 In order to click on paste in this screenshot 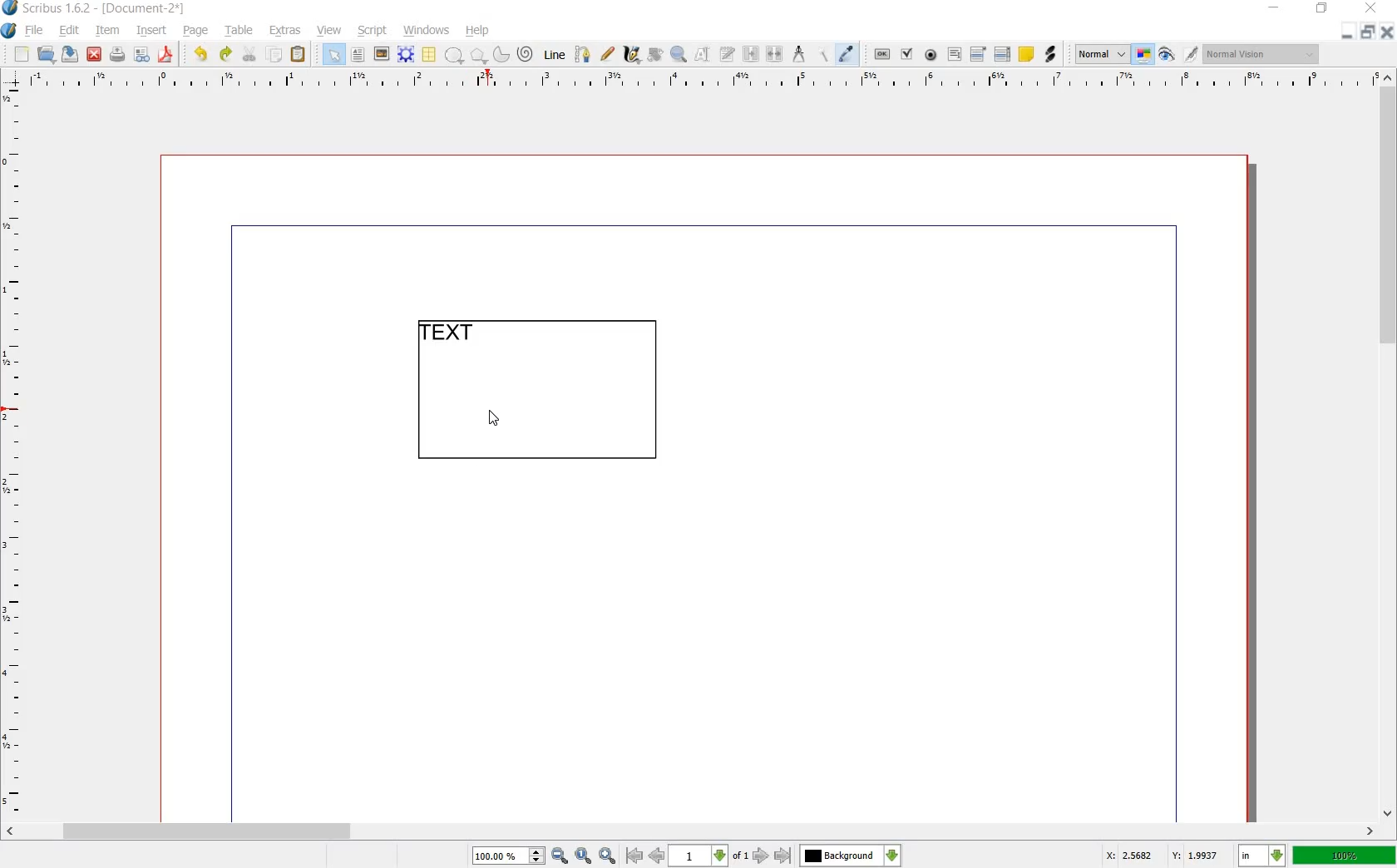, I will do `click(299, 55)`.